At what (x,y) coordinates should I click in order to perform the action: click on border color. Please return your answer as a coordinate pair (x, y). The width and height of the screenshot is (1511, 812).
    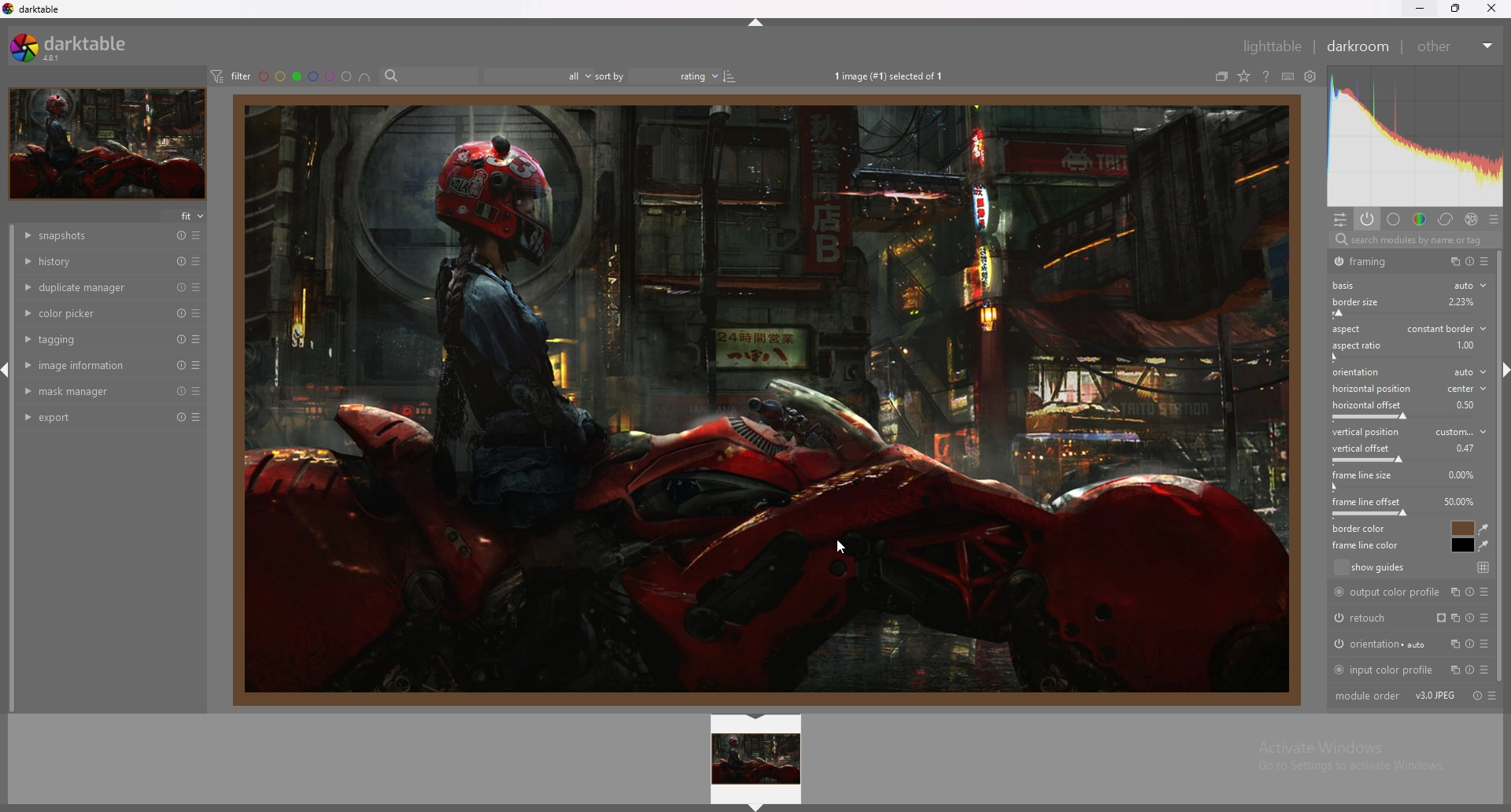
    Looking at the image, I should click on (1463, 528).